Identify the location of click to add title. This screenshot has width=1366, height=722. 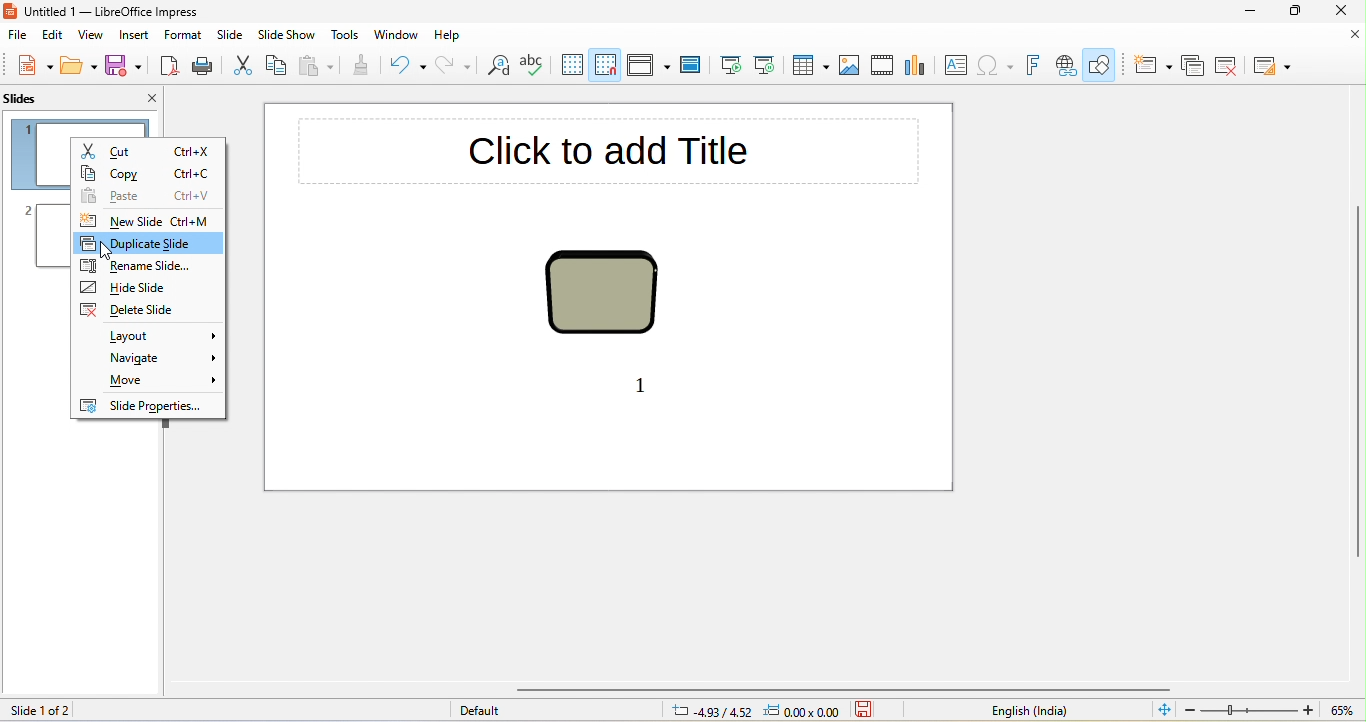
(612, 151).